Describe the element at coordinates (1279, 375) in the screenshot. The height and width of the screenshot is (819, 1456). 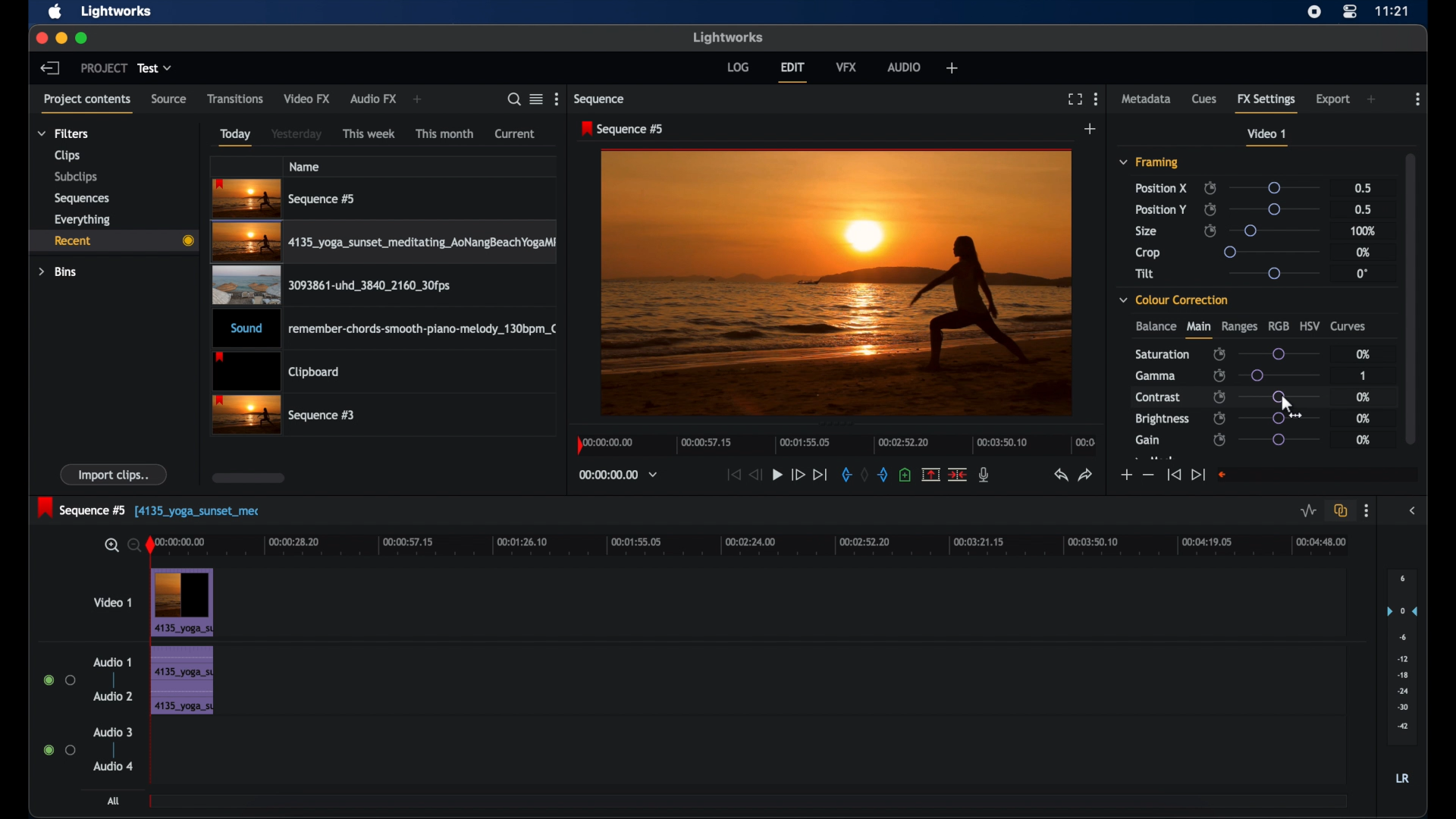
I see `slider` at that location.